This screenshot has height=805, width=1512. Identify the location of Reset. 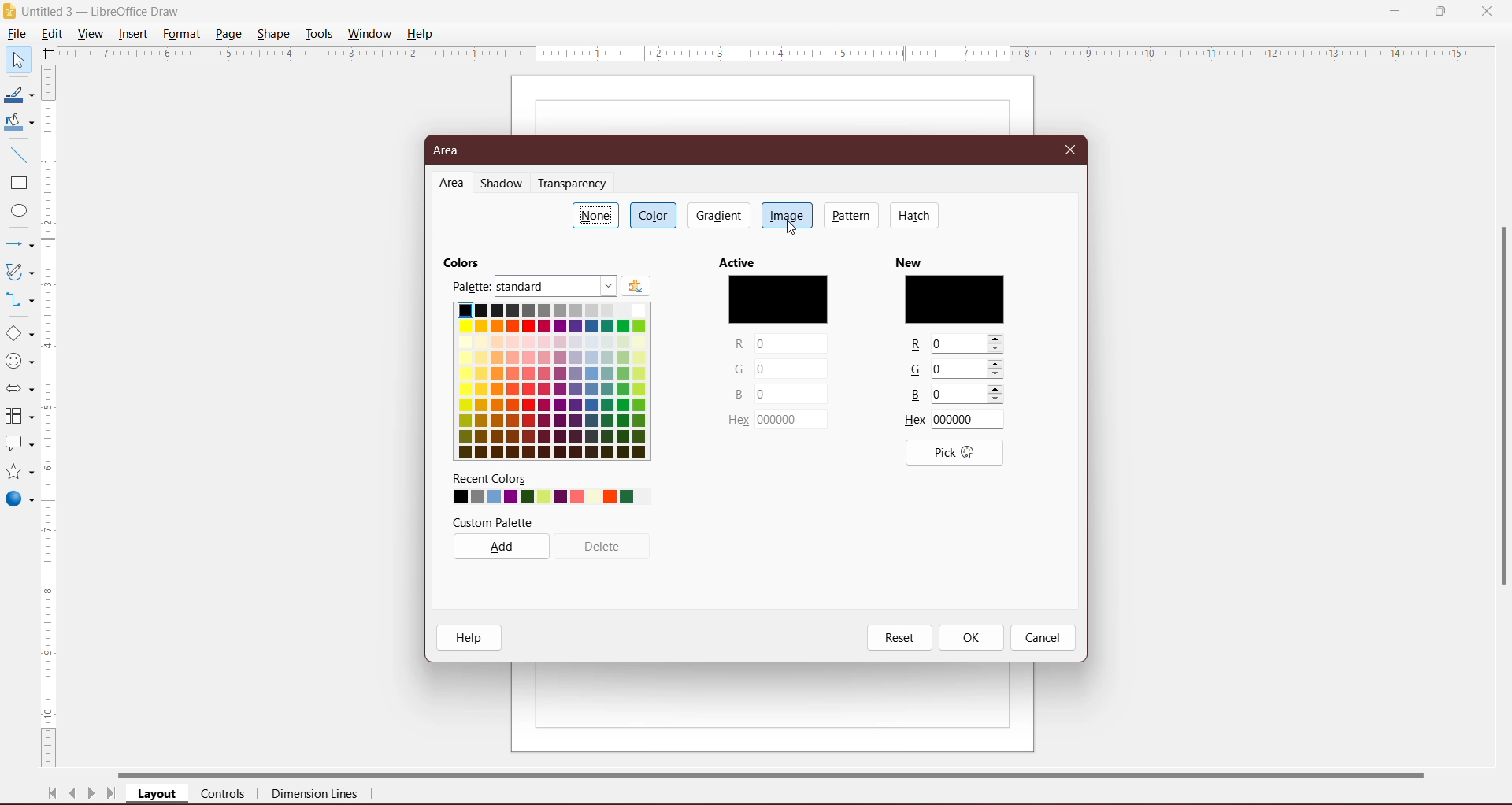
(899, 638).